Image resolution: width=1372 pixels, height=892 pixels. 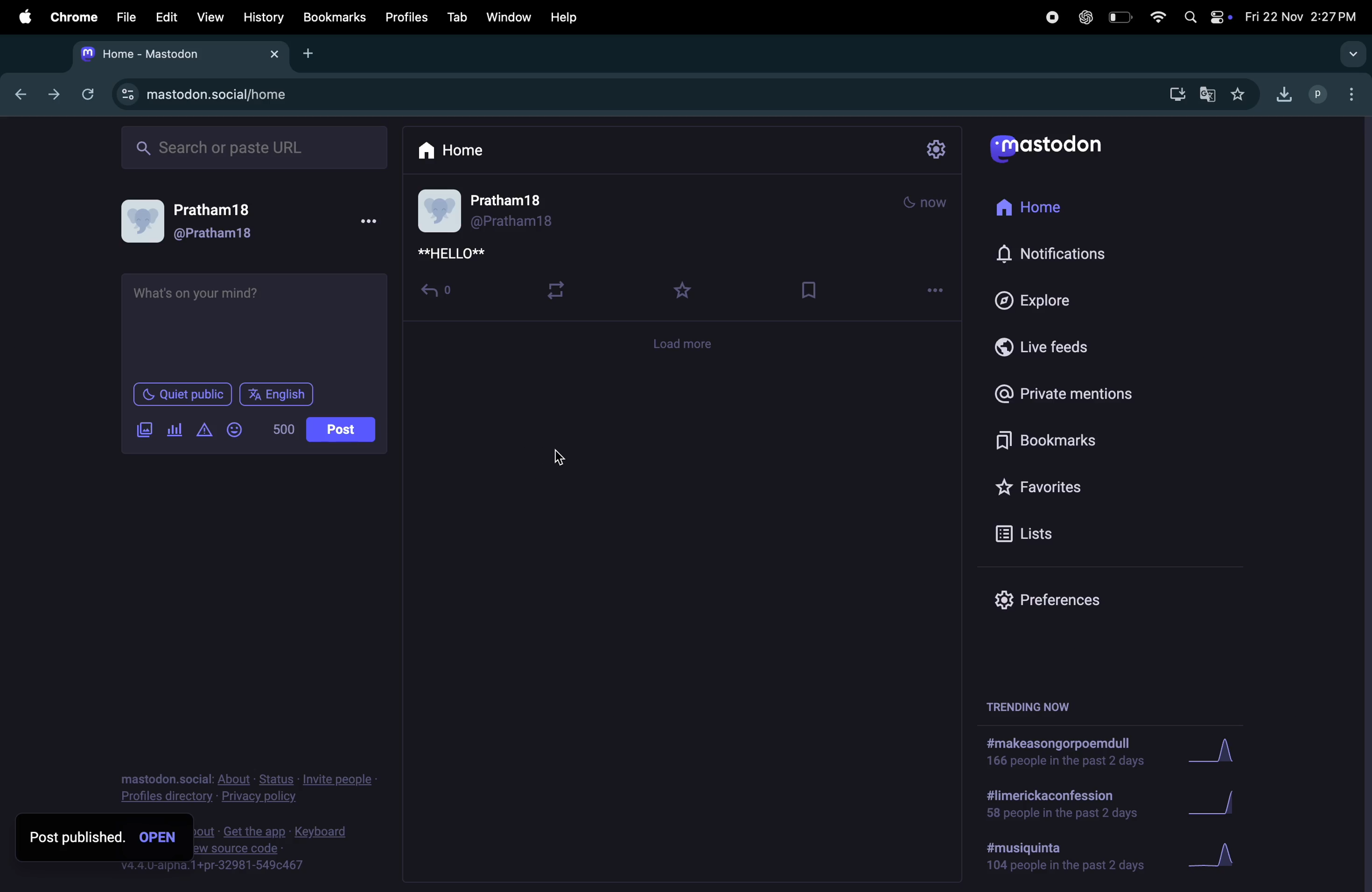 I want to click on lists, so click(x=1101, y=532).